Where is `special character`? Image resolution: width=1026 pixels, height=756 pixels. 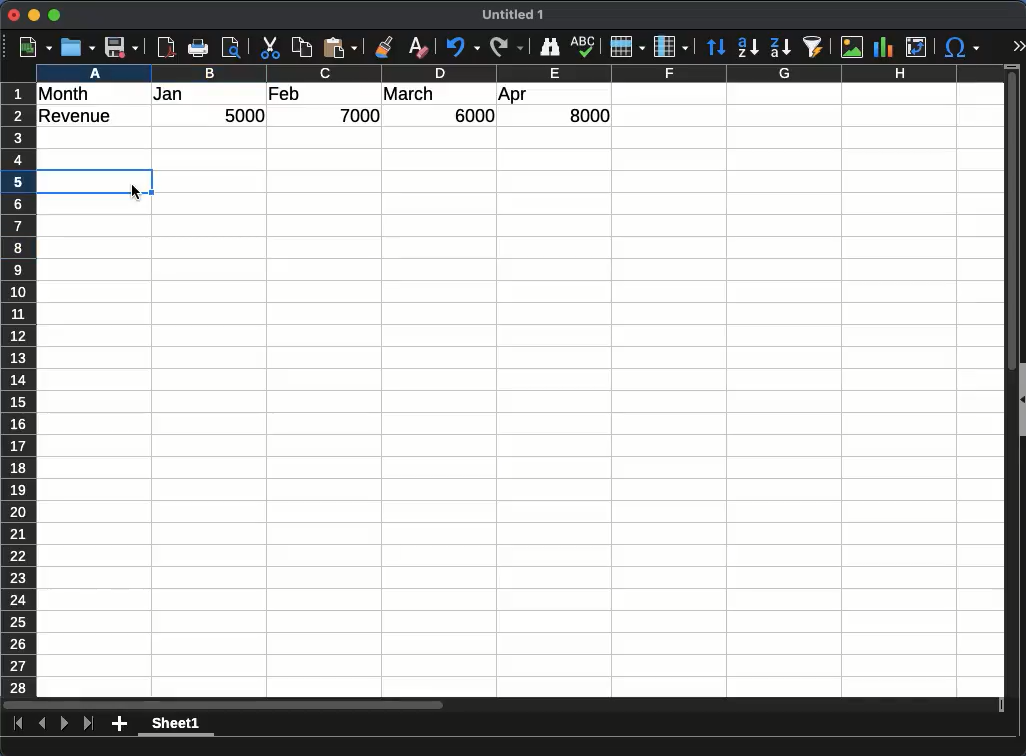 special character is located at coordinates (962, 47).